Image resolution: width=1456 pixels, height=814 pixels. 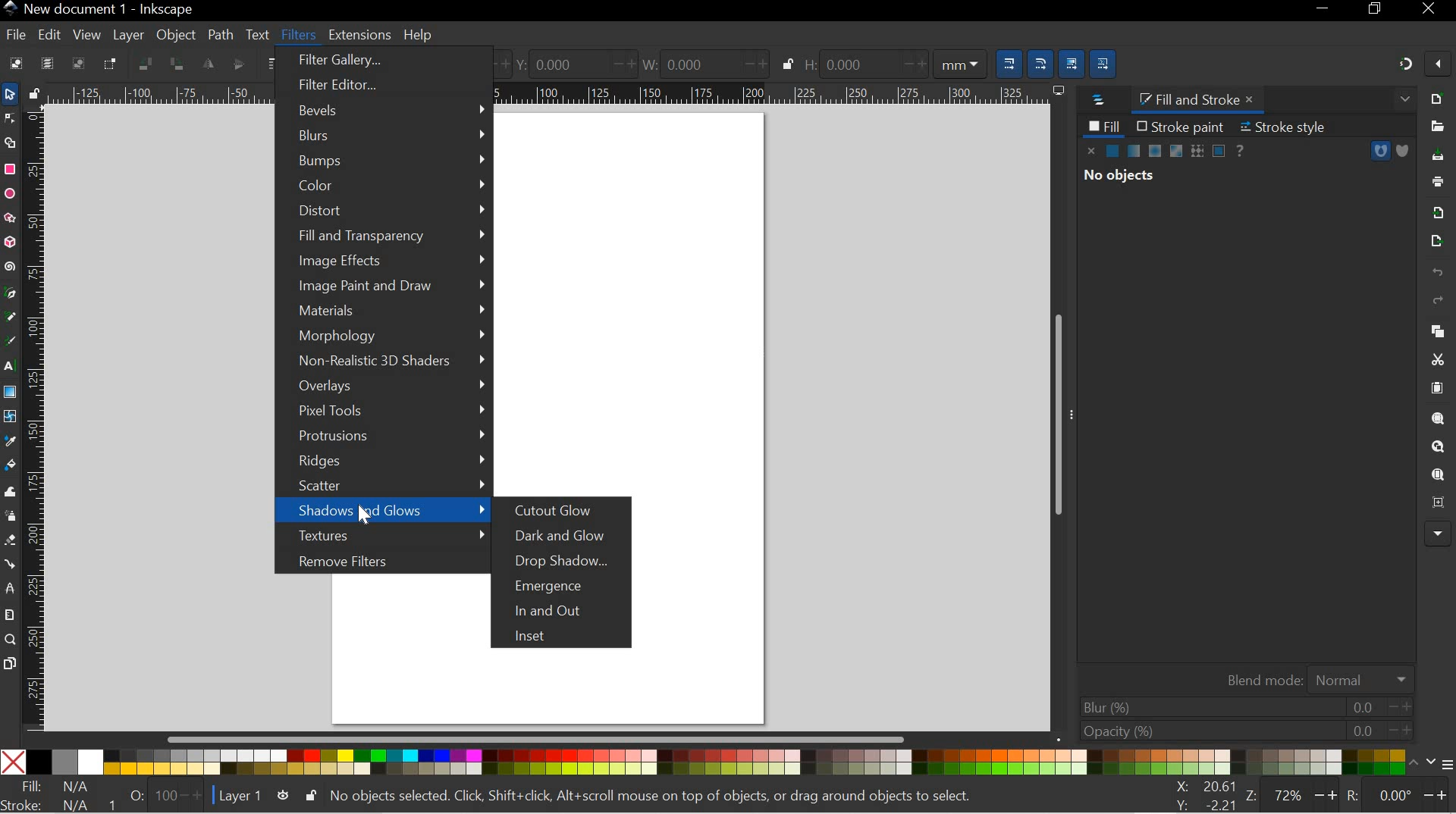 What do you see at coordinates (1006, 61) in the screenshot?
I see `SCALING OBJECTS` at bounding box center [1006, 61].